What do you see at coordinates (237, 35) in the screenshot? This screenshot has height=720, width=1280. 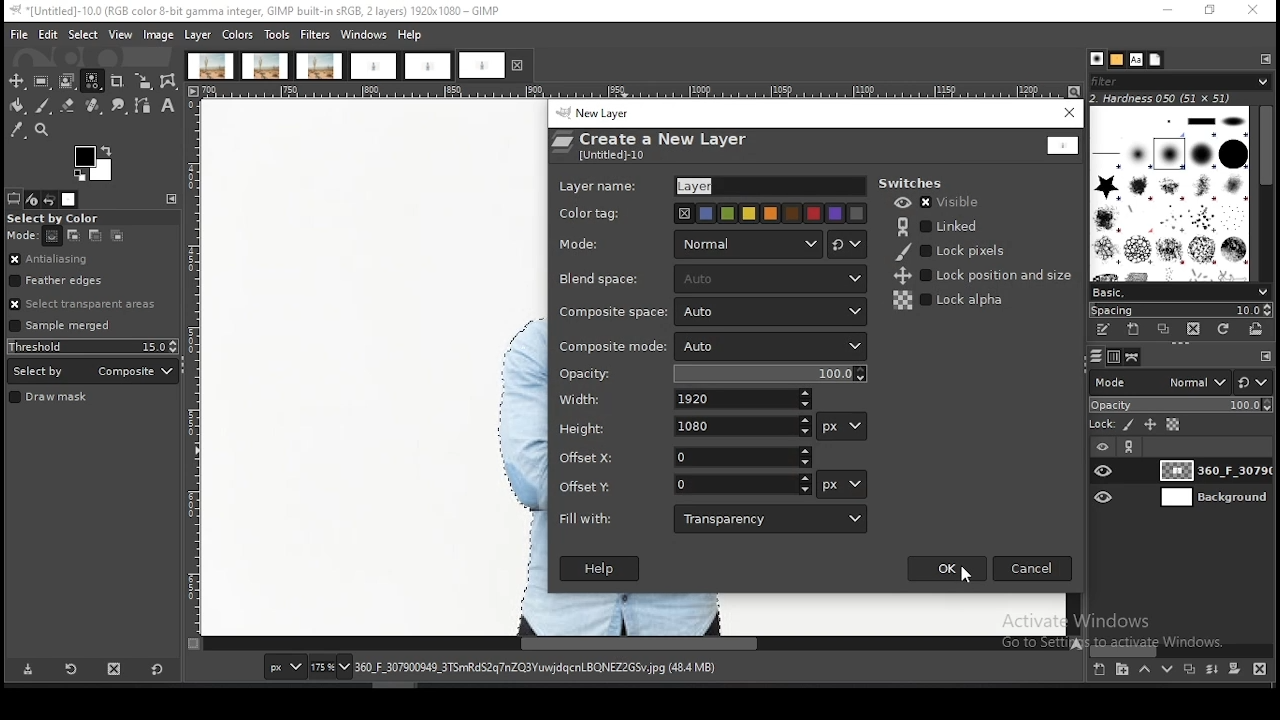 I see `colors` at bounding box center [237, 35].